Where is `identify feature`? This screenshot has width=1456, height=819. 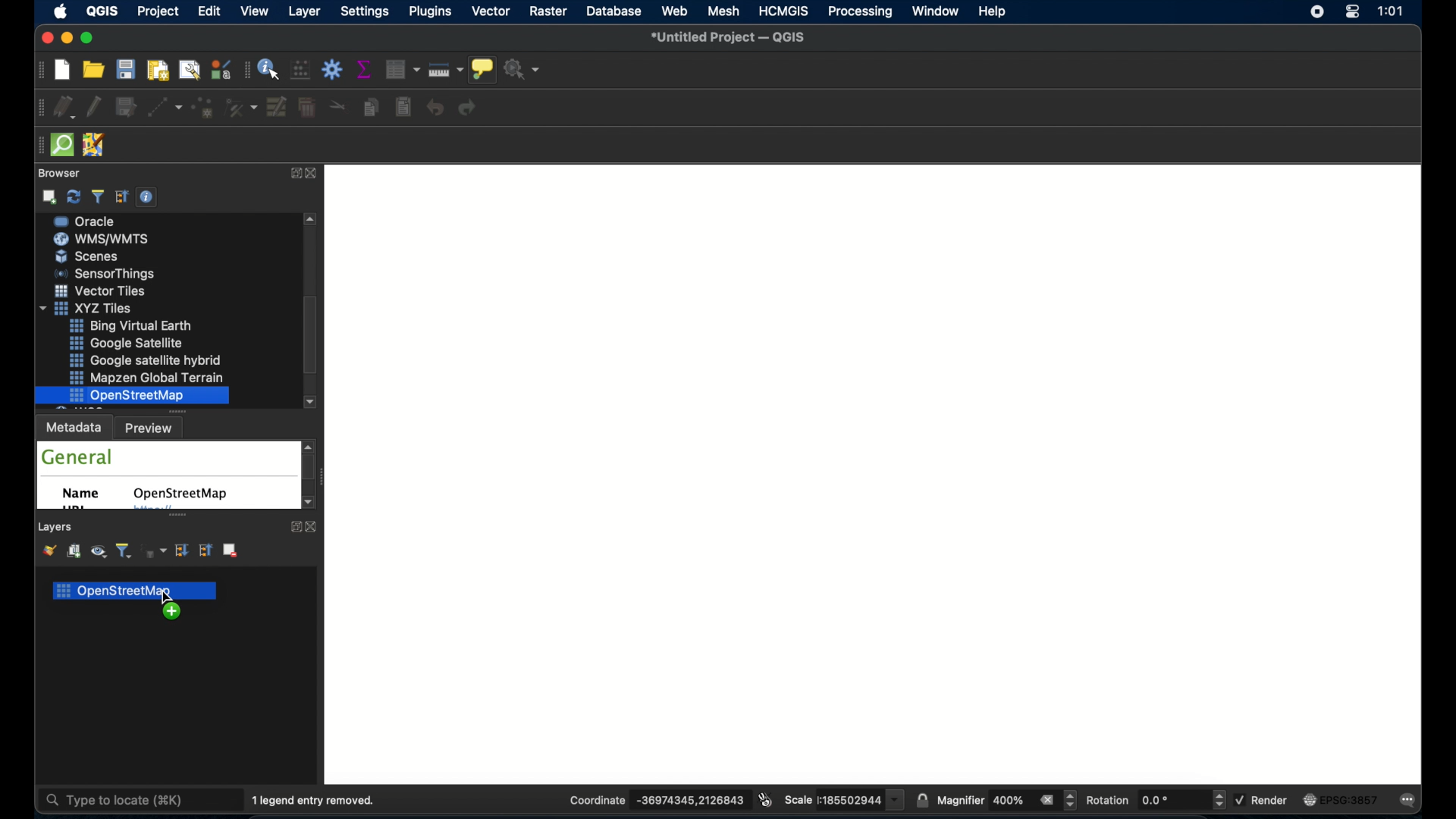
identify feature is located at coordinates (268, 71).